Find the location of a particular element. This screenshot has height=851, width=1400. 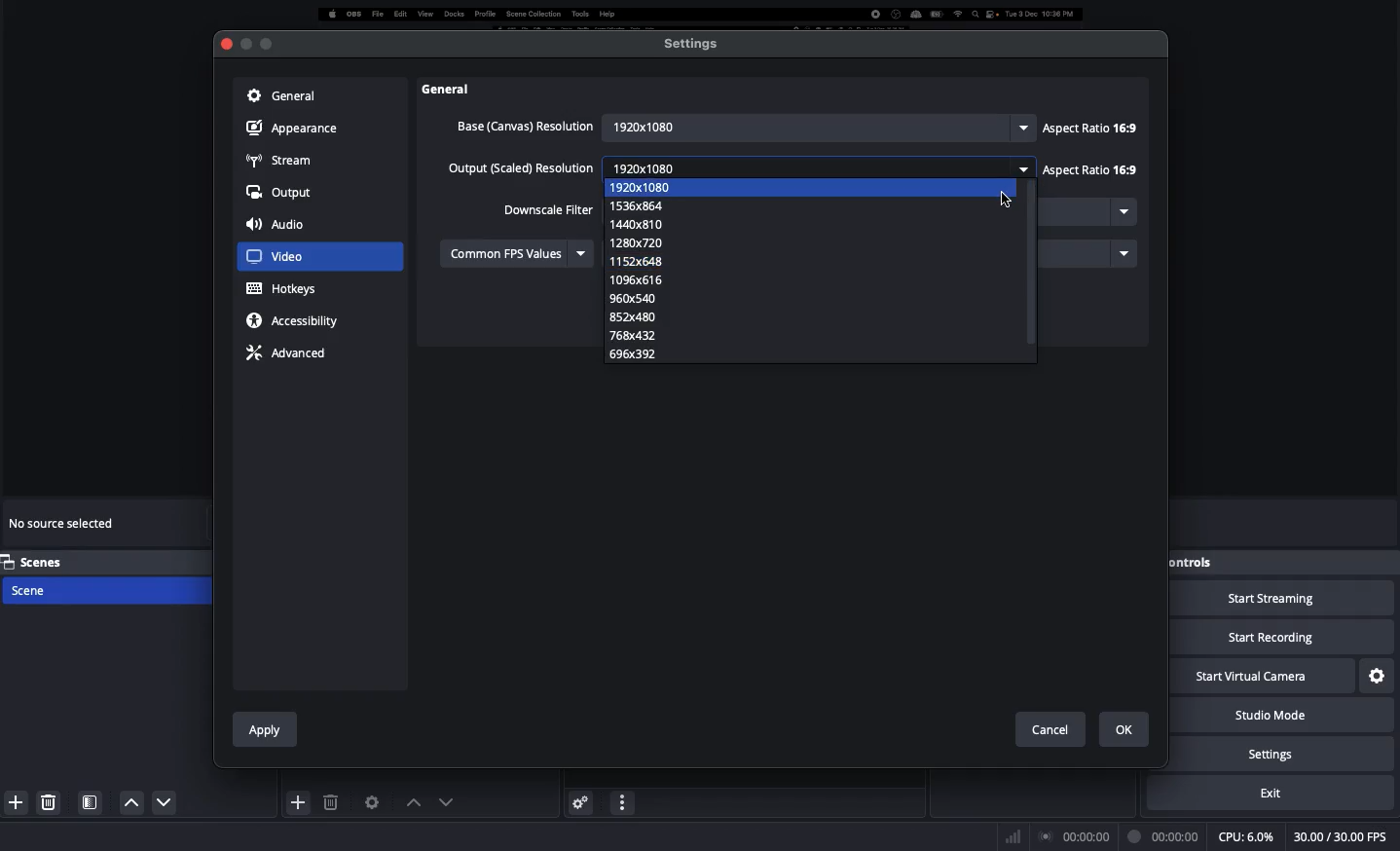

Start recording is located at coordinates (1283, 639).